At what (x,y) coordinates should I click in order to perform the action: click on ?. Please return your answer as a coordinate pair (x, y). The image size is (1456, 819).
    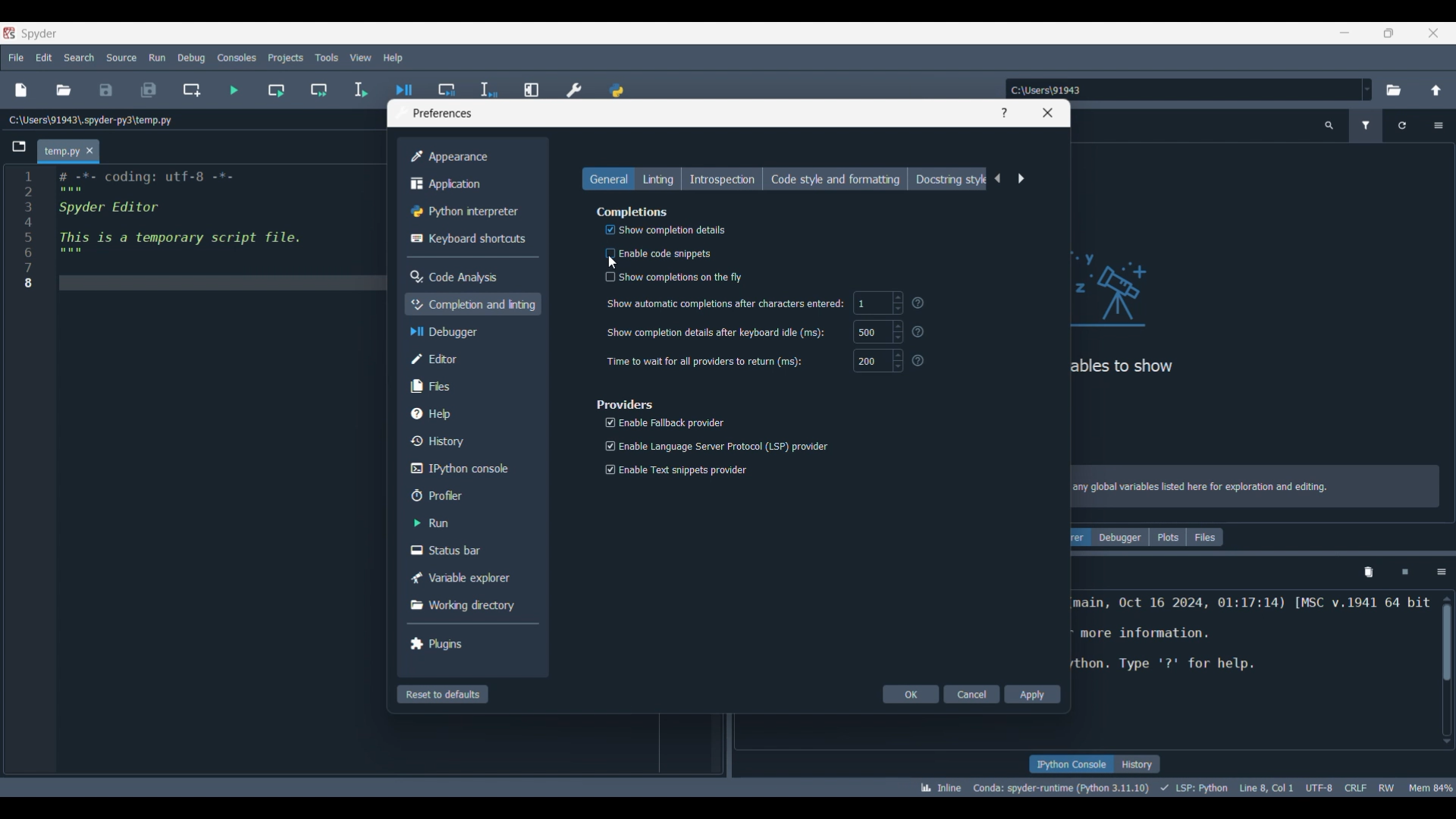
    Looking at the image, I should click on (921, 331).